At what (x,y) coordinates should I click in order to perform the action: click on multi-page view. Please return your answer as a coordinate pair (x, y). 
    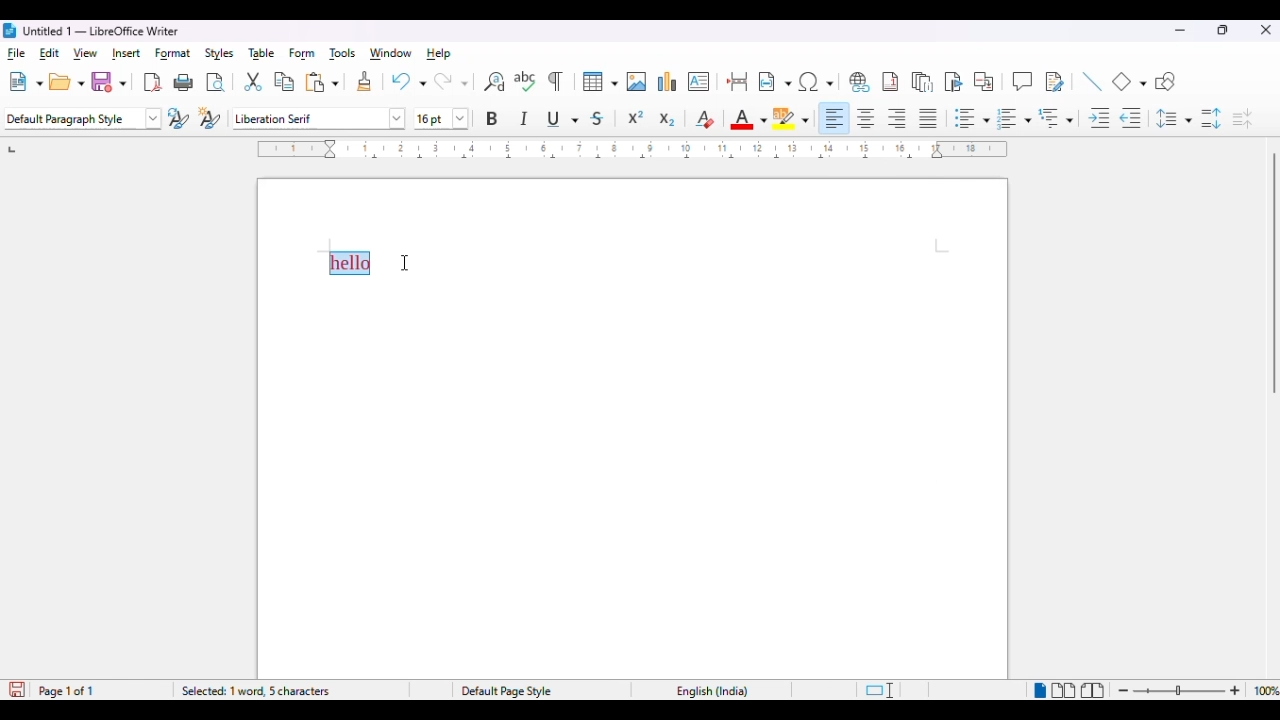
    Looking at the image, I should click on (1064, 690).